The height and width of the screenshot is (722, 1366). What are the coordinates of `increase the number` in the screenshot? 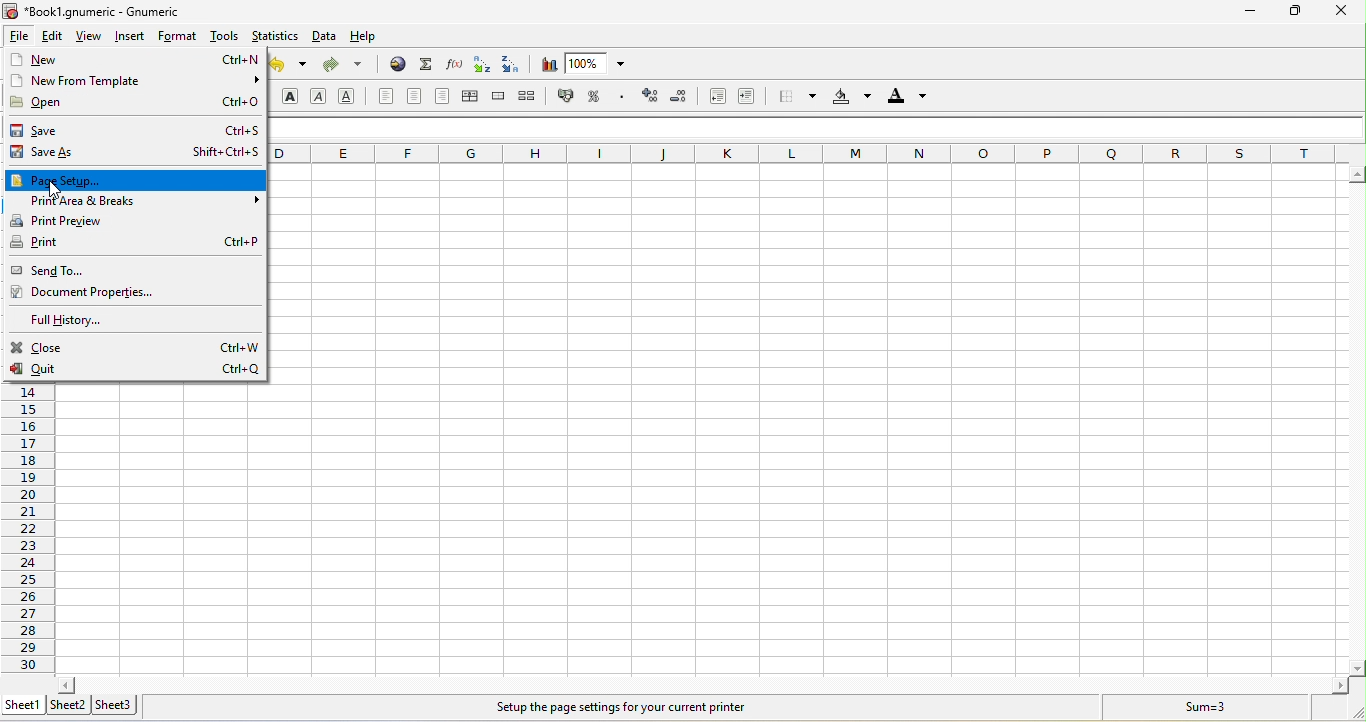 It's located at (652, 98).